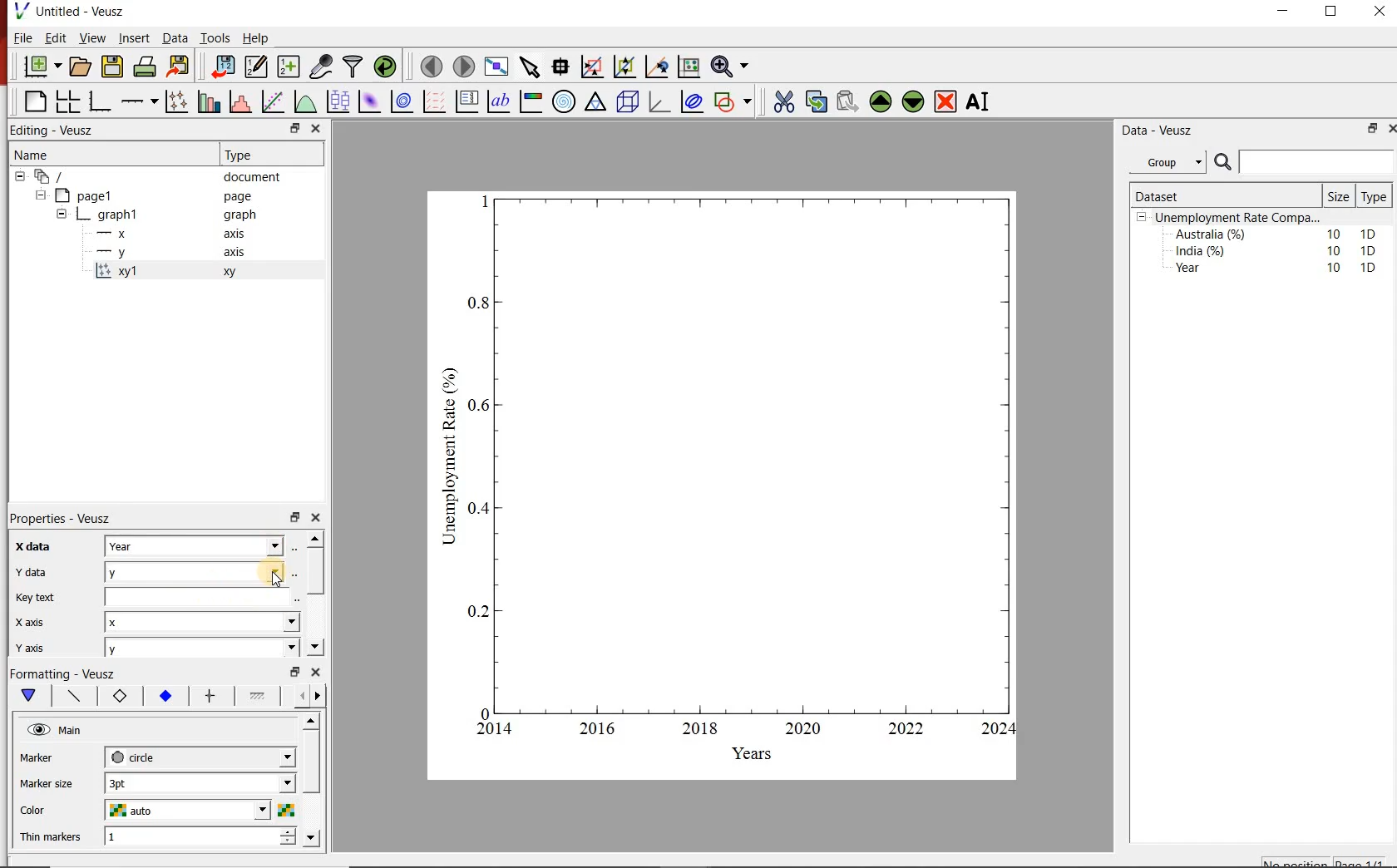 The image size is (1397, 868). What do you see at coordinates (1277, 234) in the screenshot?
I see `Australia (%) 10 1D` at bounding box center [1277, 234].